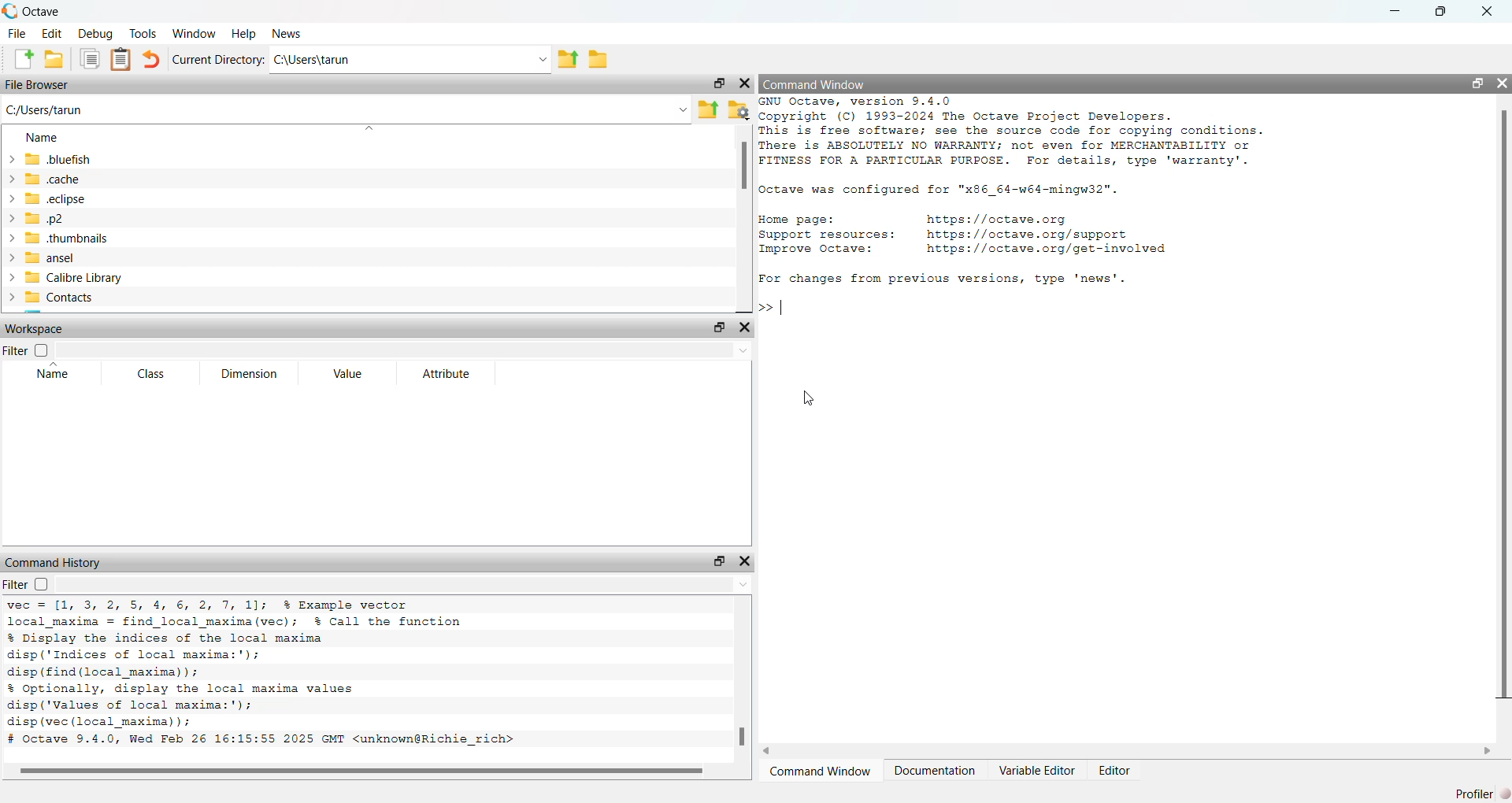 Image resolution: width=1512 pixels, height=803 pixels. I want to click on .eclipse, so click(61, 198).